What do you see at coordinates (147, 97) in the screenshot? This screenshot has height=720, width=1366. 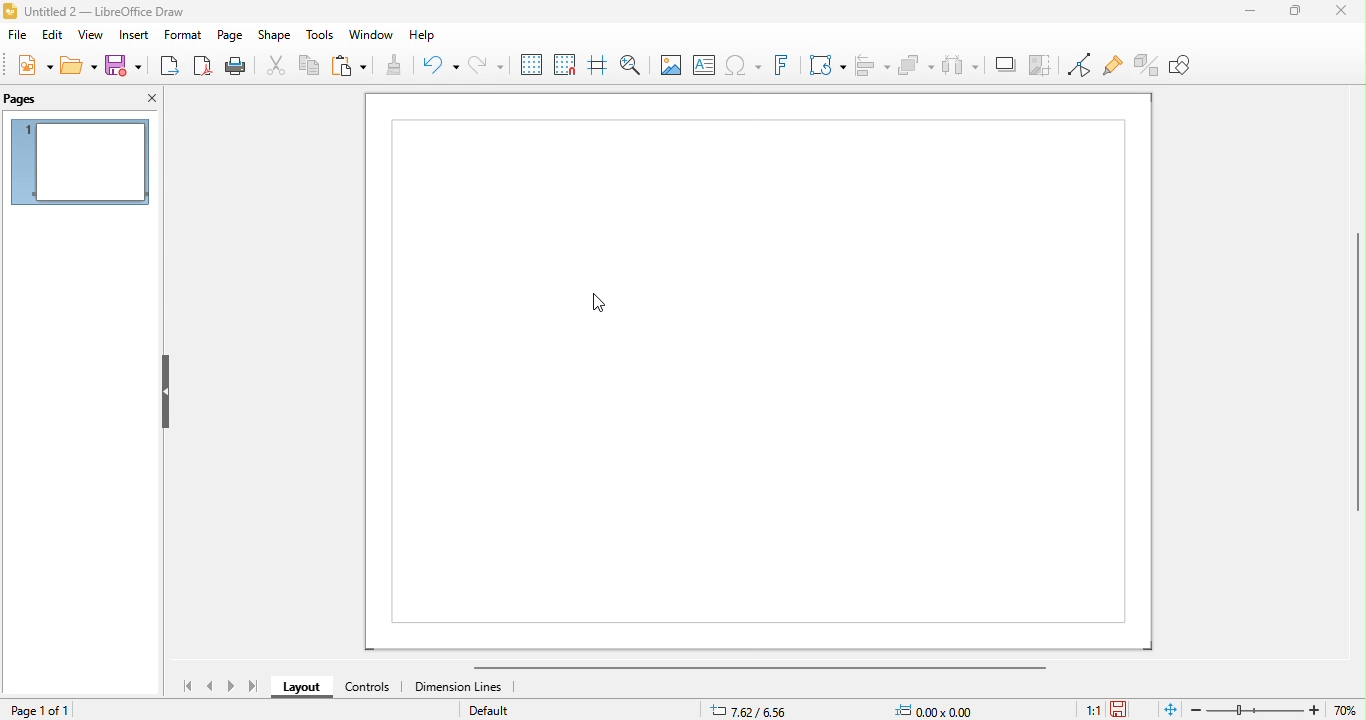 I see `close pane` at bounding box center [147, 97].